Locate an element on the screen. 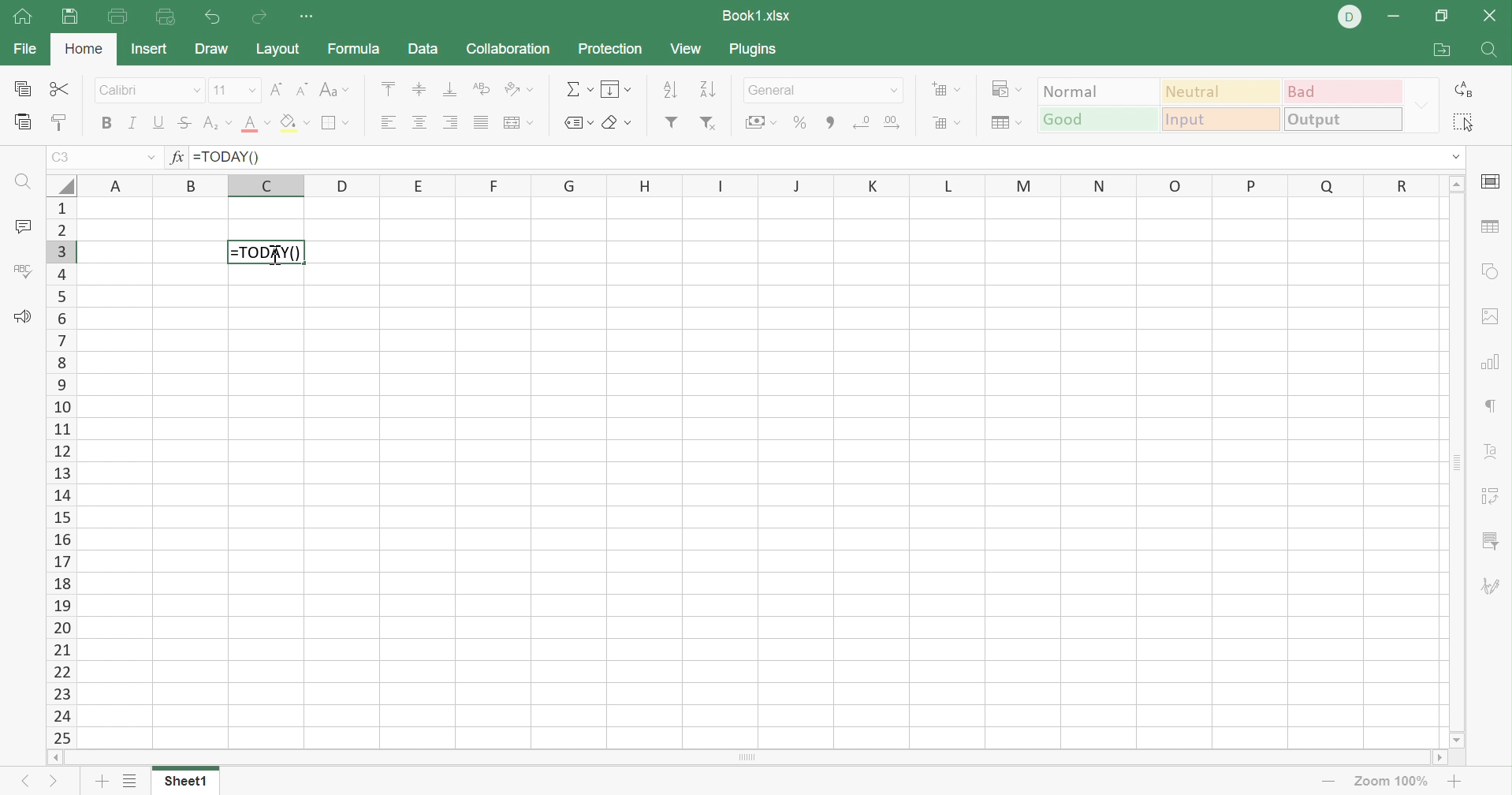 Image resolution: width=1512 pixels, height=795 pixels. Align Right is located at coordinates (450, 122).